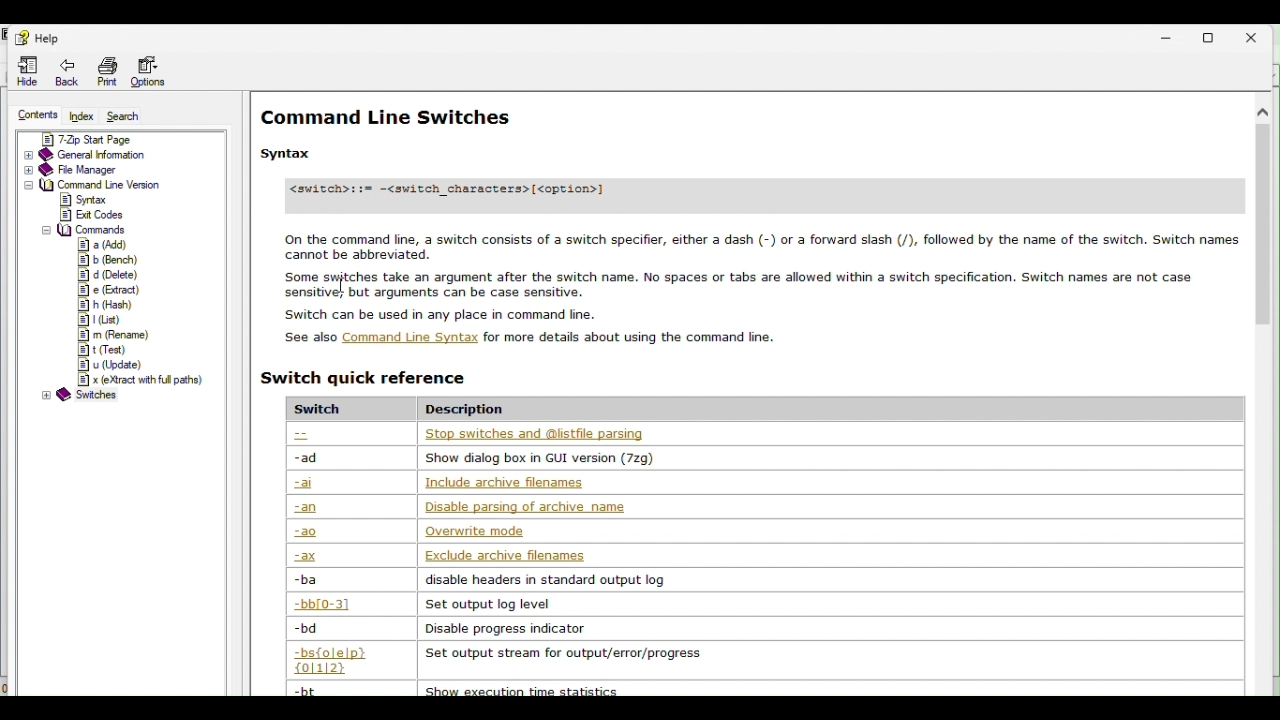 The image size is (1280, 720). Describe the element at coordinates (31, 116) in the screenshot. I see `Content` at that location.